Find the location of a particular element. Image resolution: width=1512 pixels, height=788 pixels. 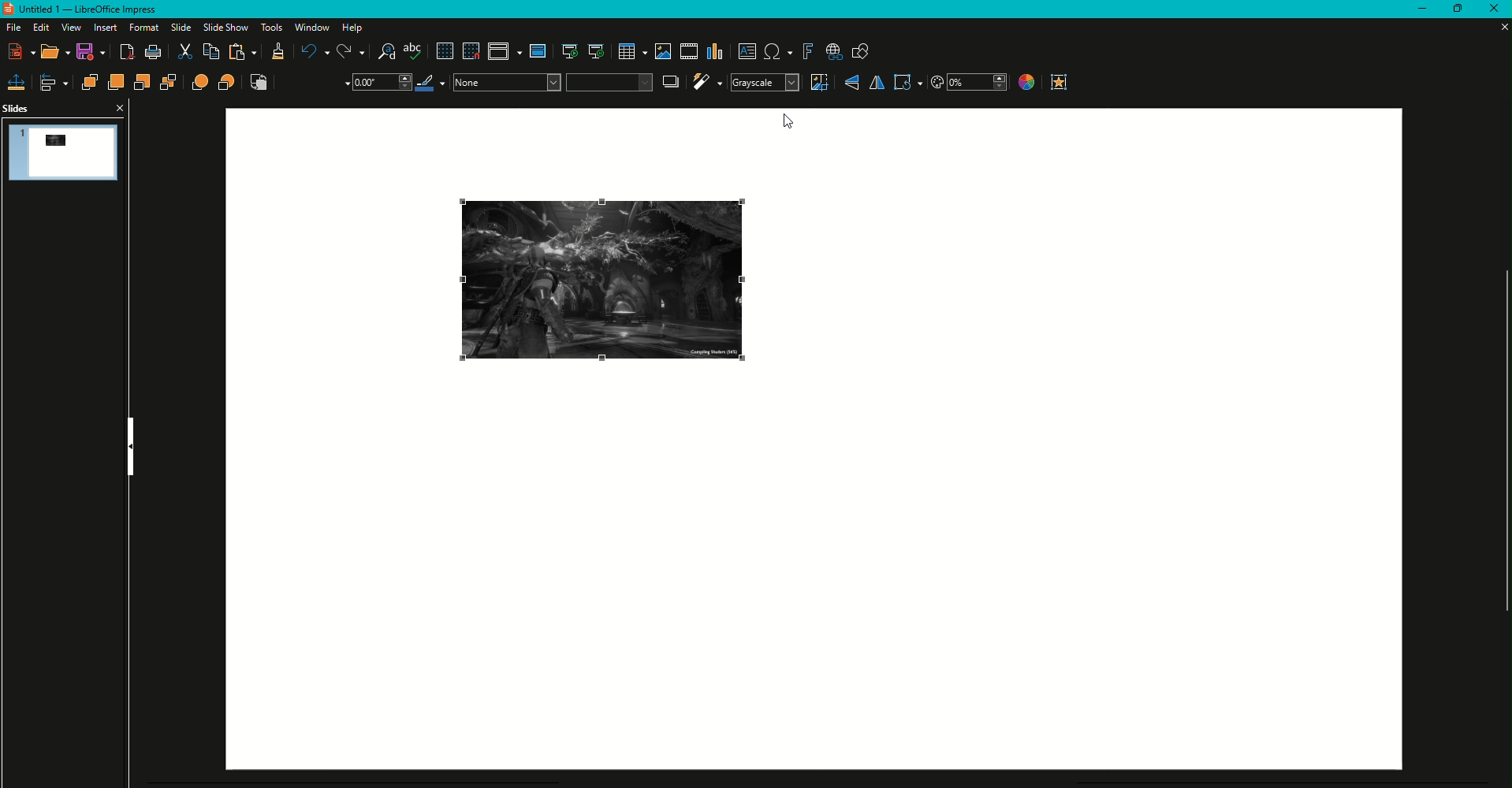

Area/Style is located at coordinates (552, 82).